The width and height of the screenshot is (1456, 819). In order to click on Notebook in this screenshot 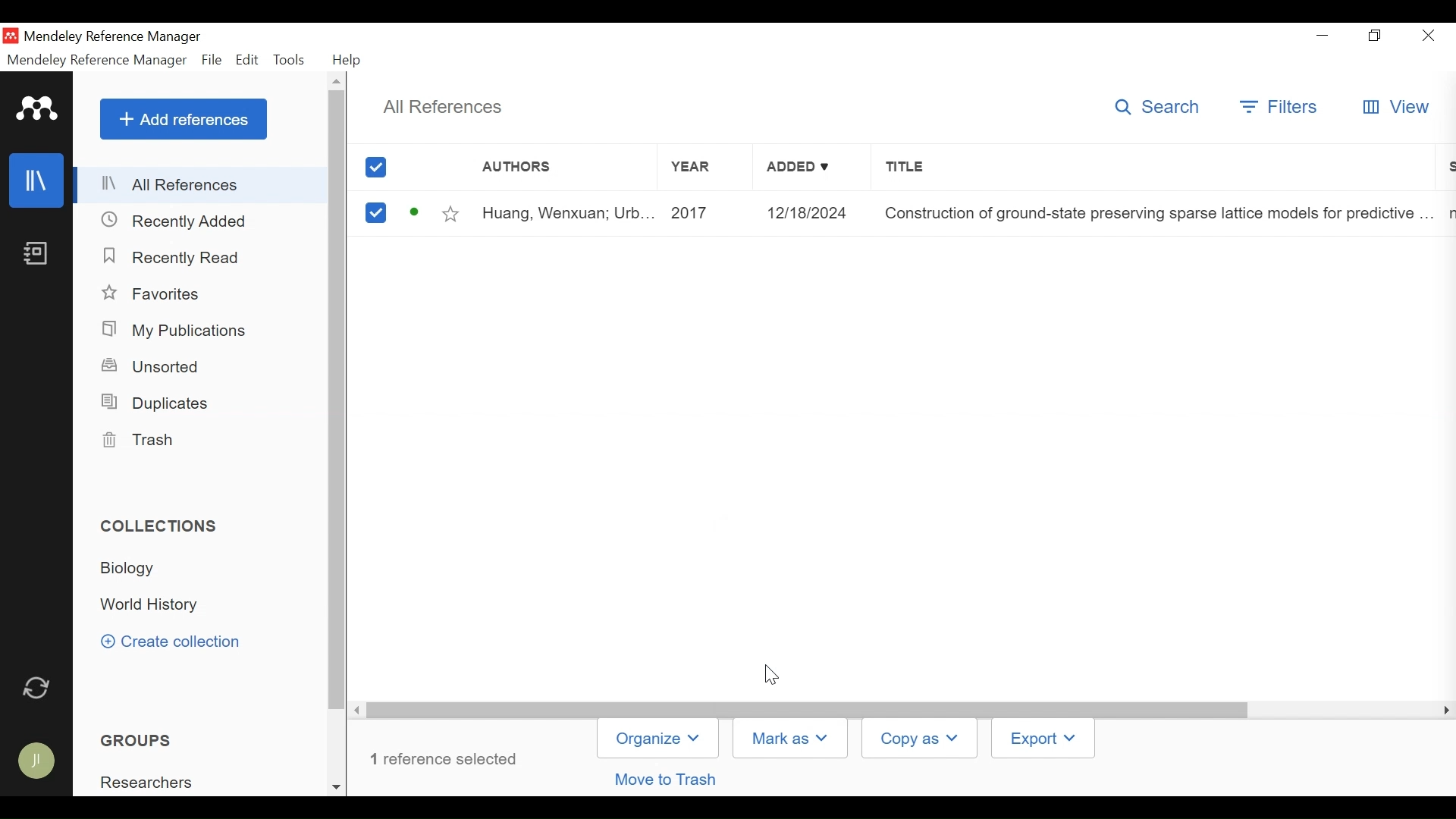, I will do `click(38, 255)`.